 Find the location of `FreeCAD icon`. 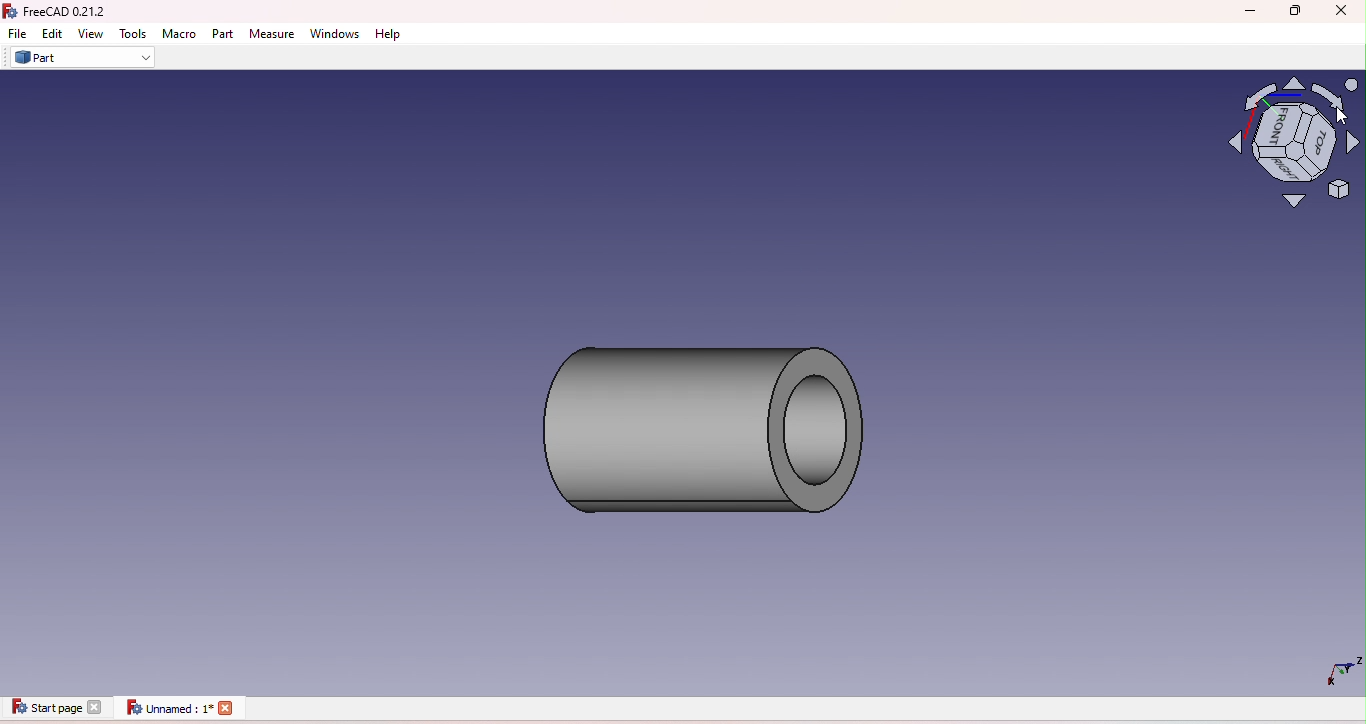

FreeCAD icon is located at coordinates (64, 12).